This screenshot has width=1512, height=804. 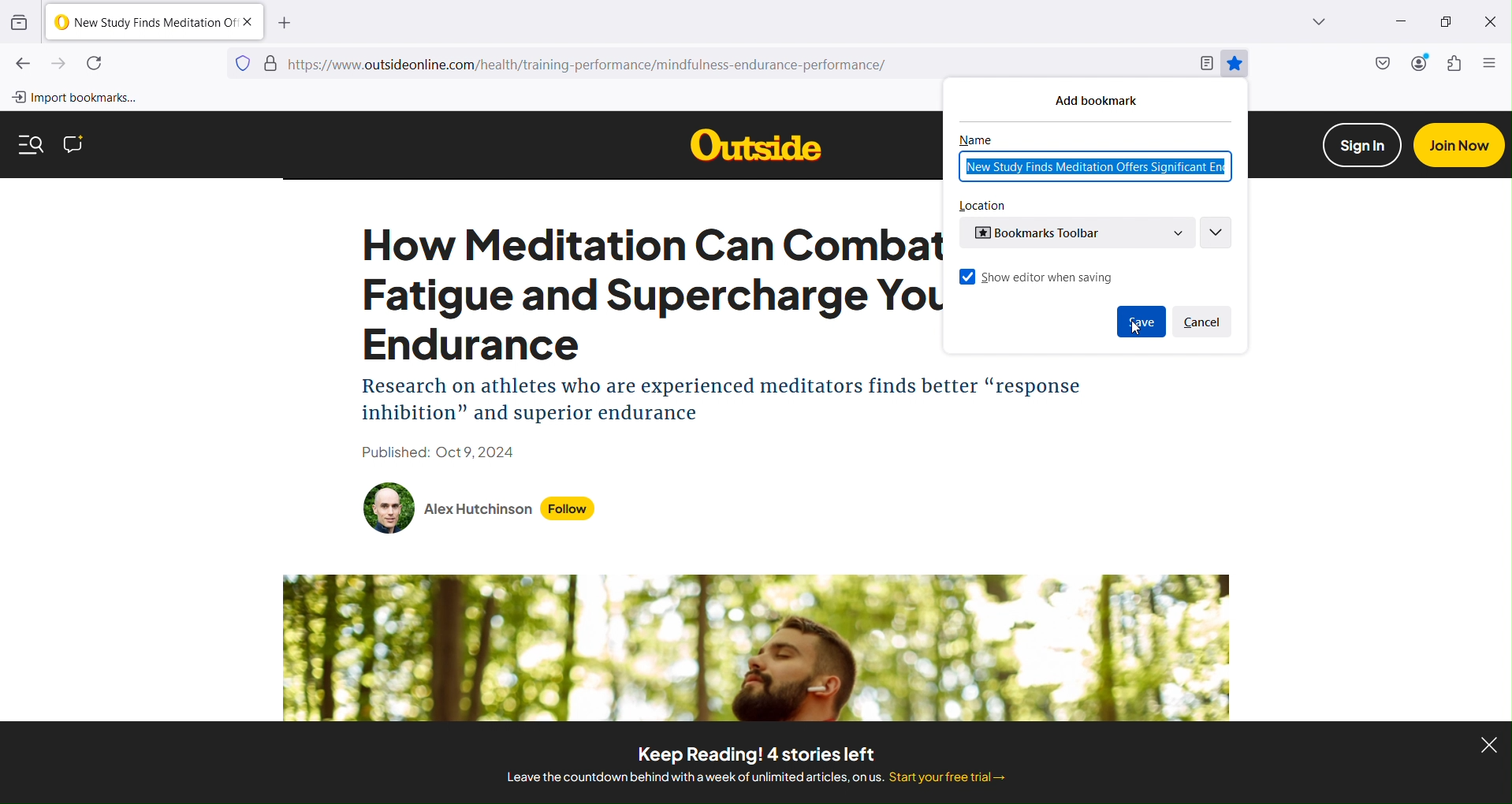 I want to click on Name, so click(x=976, y=140).